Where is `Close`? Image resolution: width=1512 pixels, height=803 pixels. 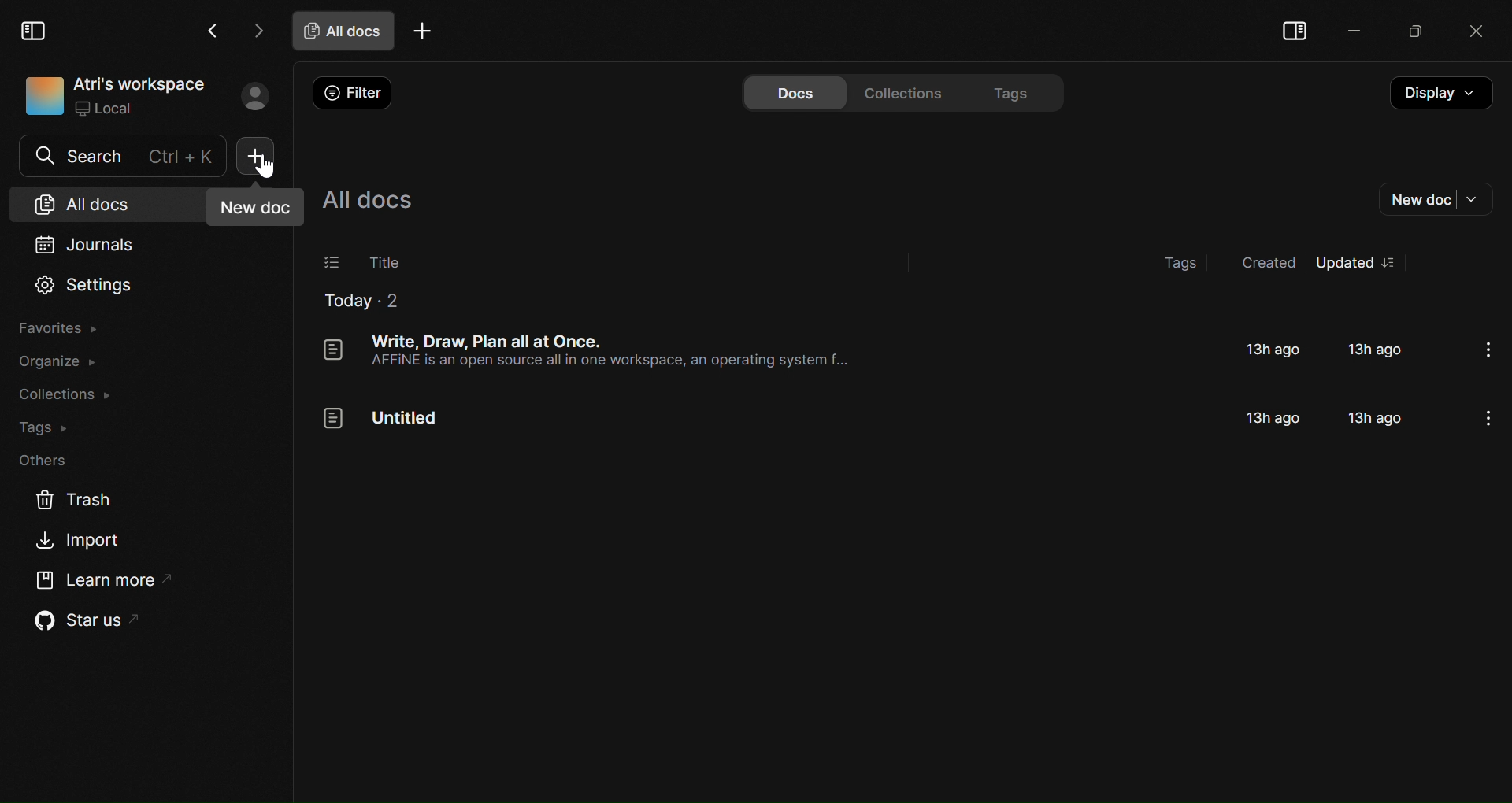 Close is located at coordinates (1470, 33).